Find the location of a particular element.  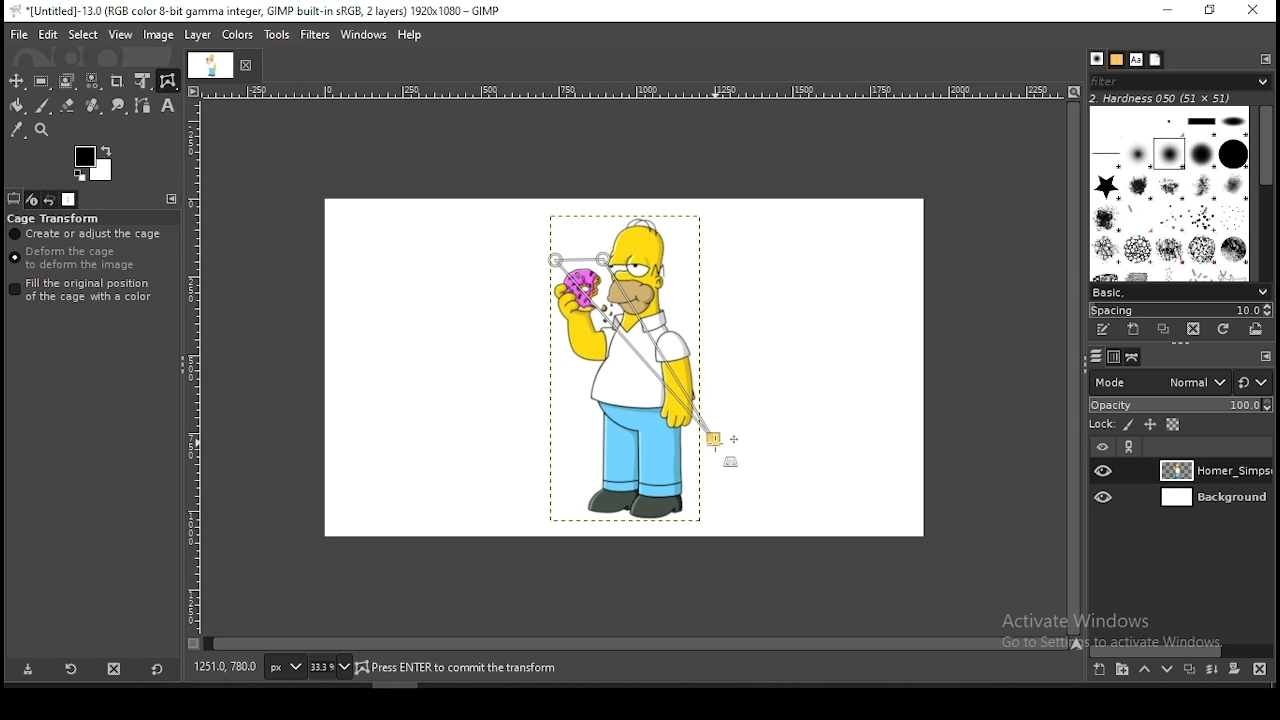

select by color tool is located at coordinates (93, 81).